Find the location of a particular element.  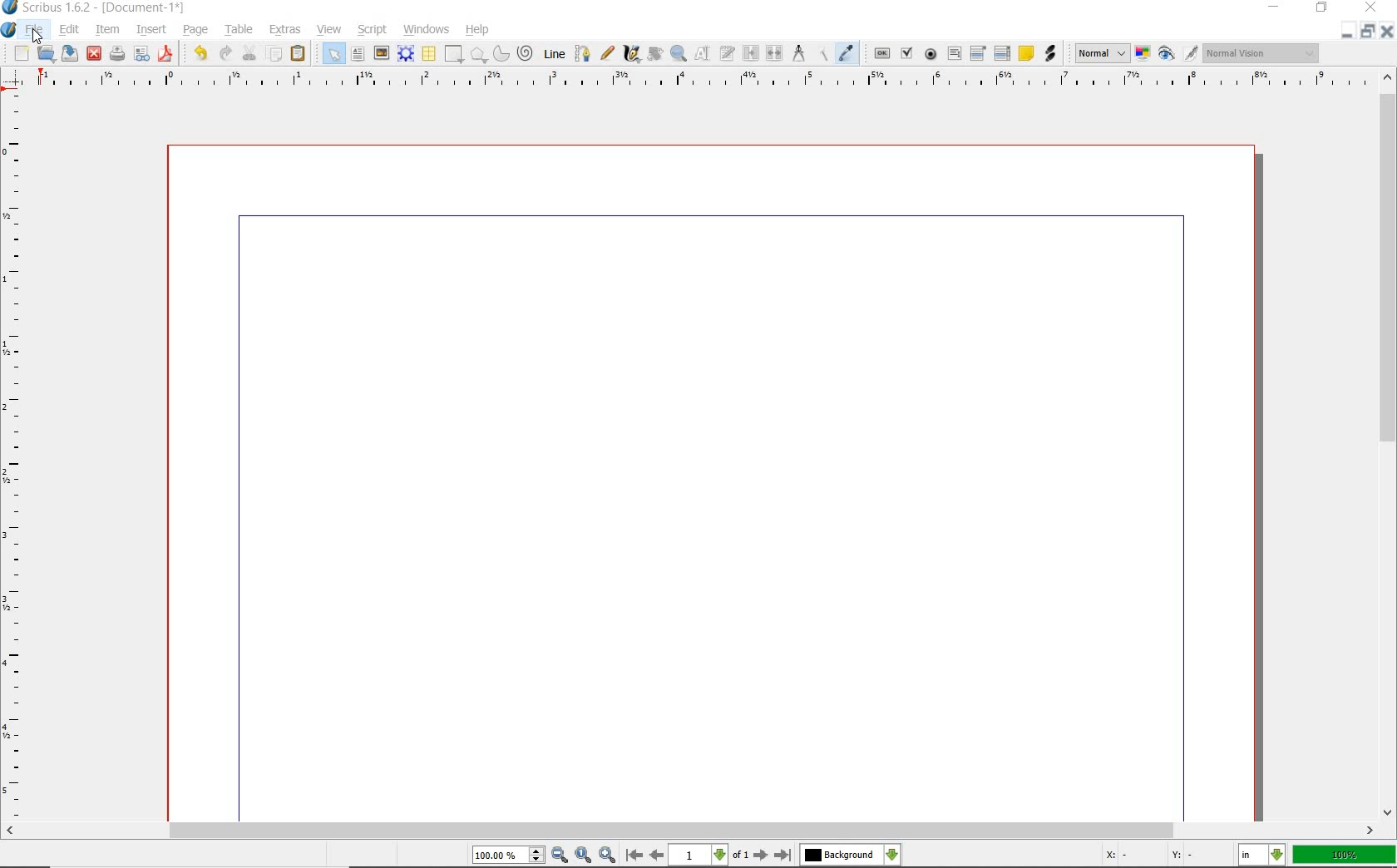

edit contents of frame is located at coordinates (703, 53).